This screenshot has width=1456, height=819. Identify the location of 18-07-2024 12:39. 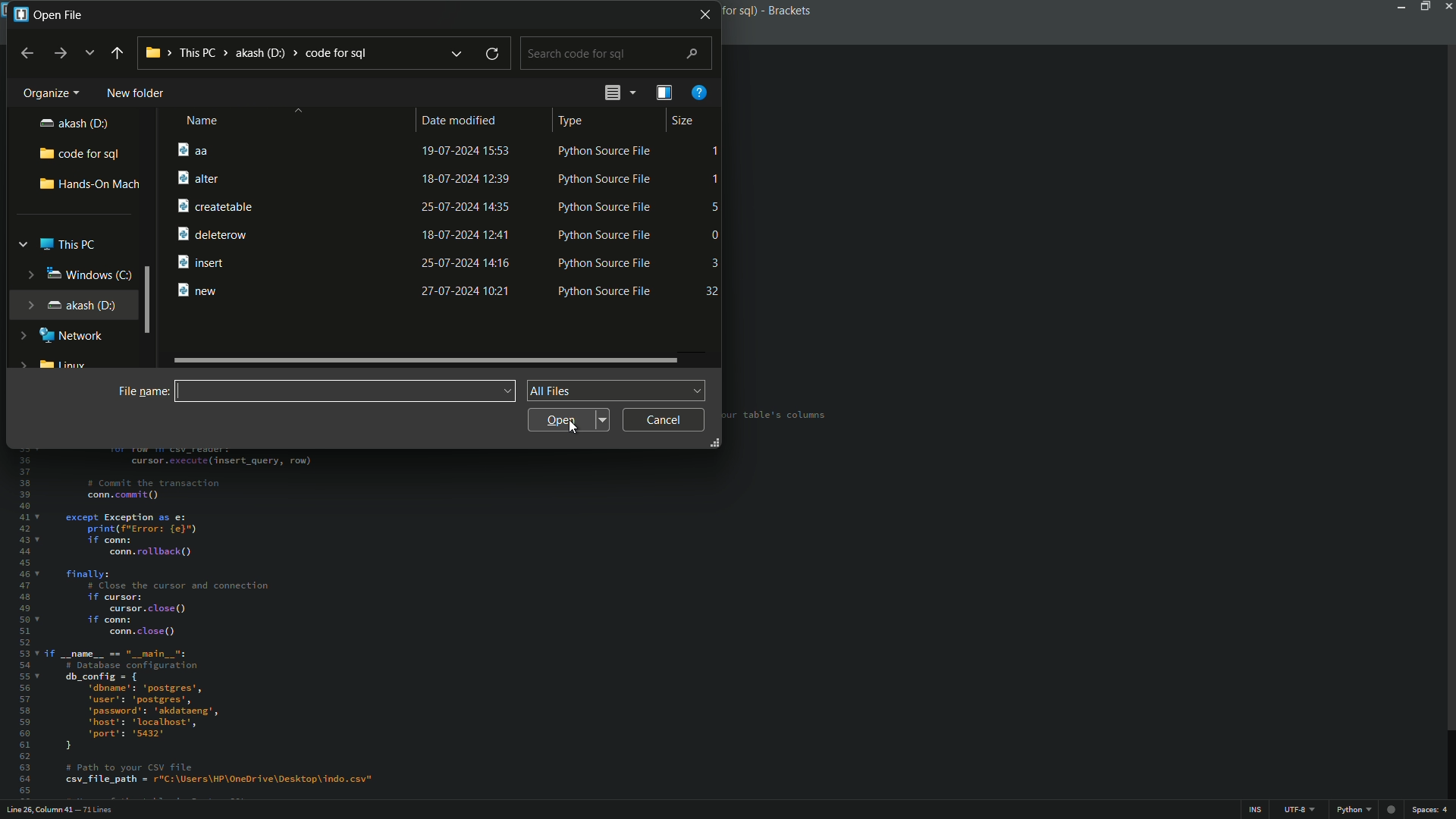
(463, 179).